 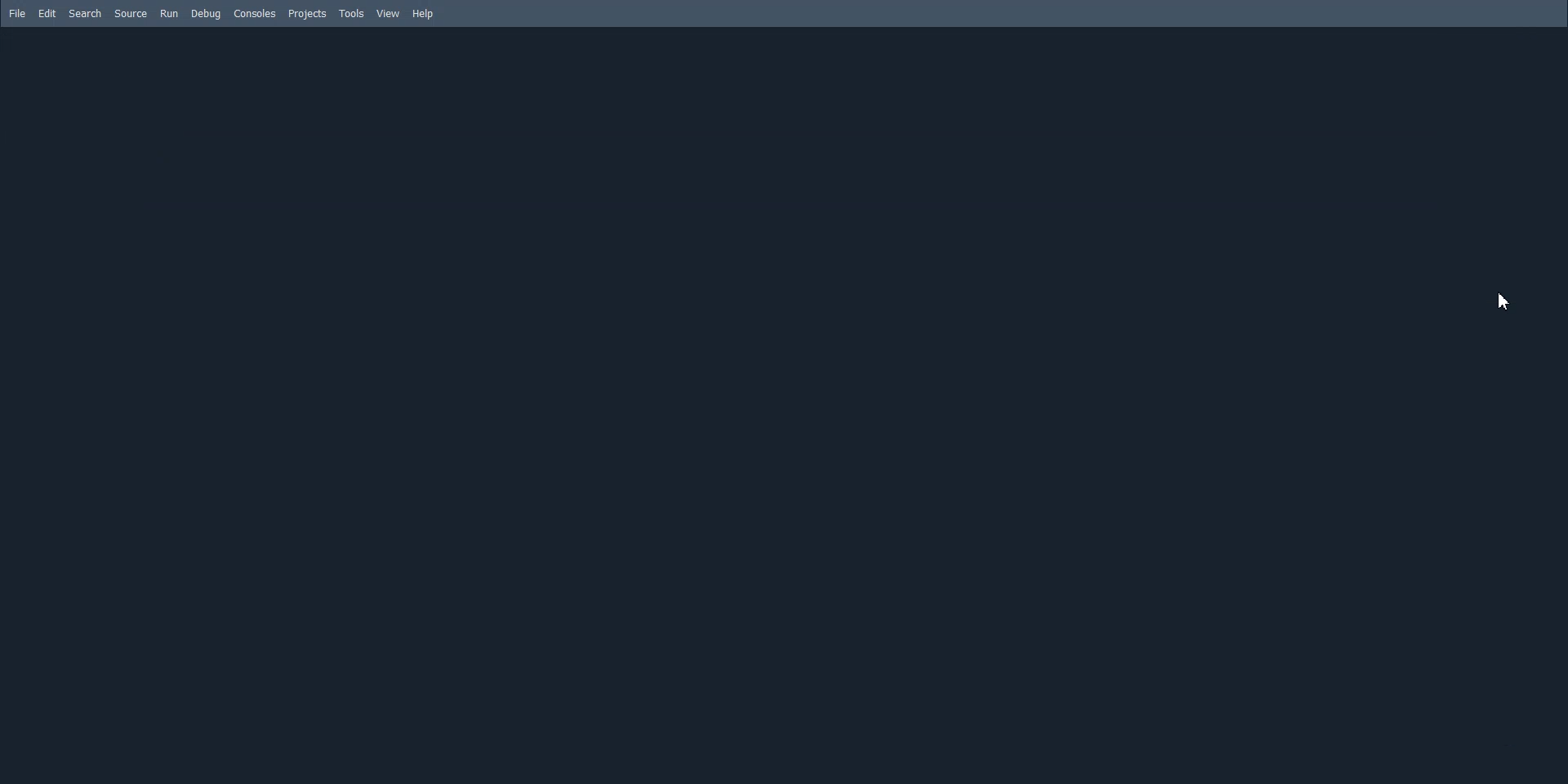 I want to click on File, so click(x=18, y=14).